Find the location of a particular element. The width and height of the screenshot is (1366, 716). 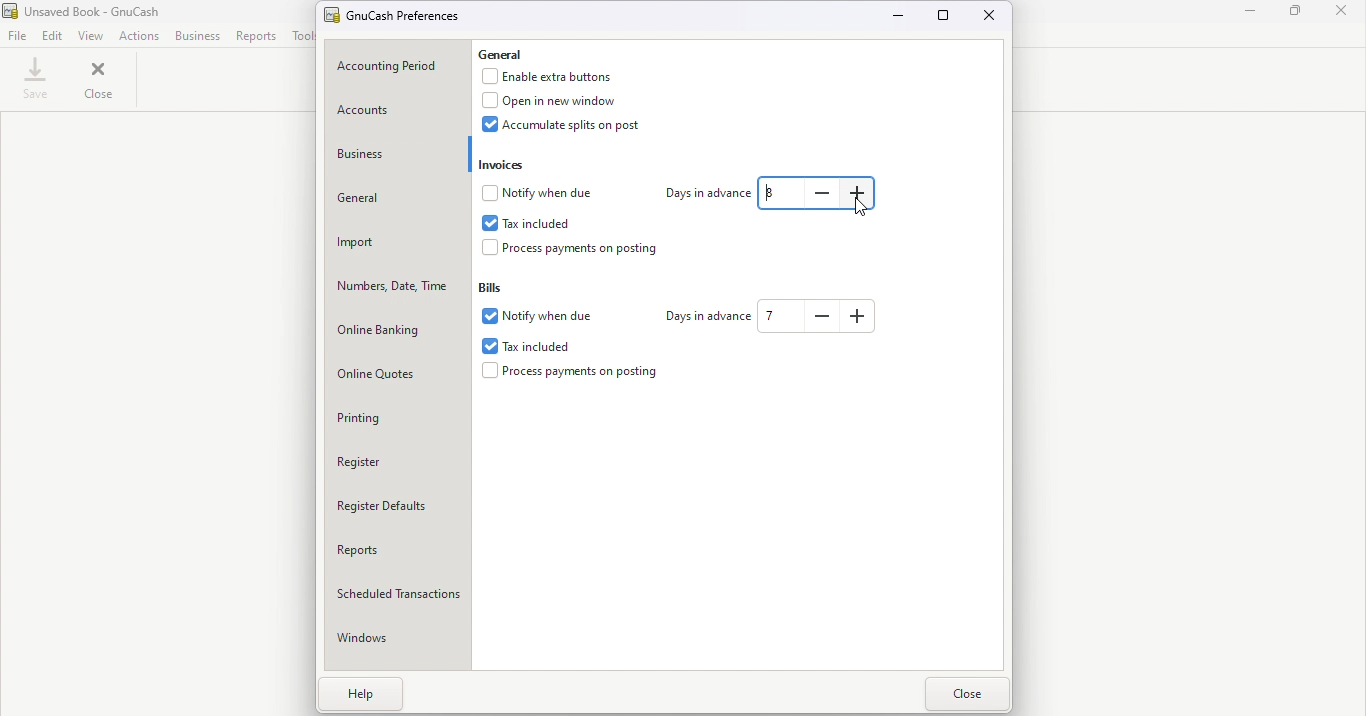

File name is located at coordinates (89, 11).